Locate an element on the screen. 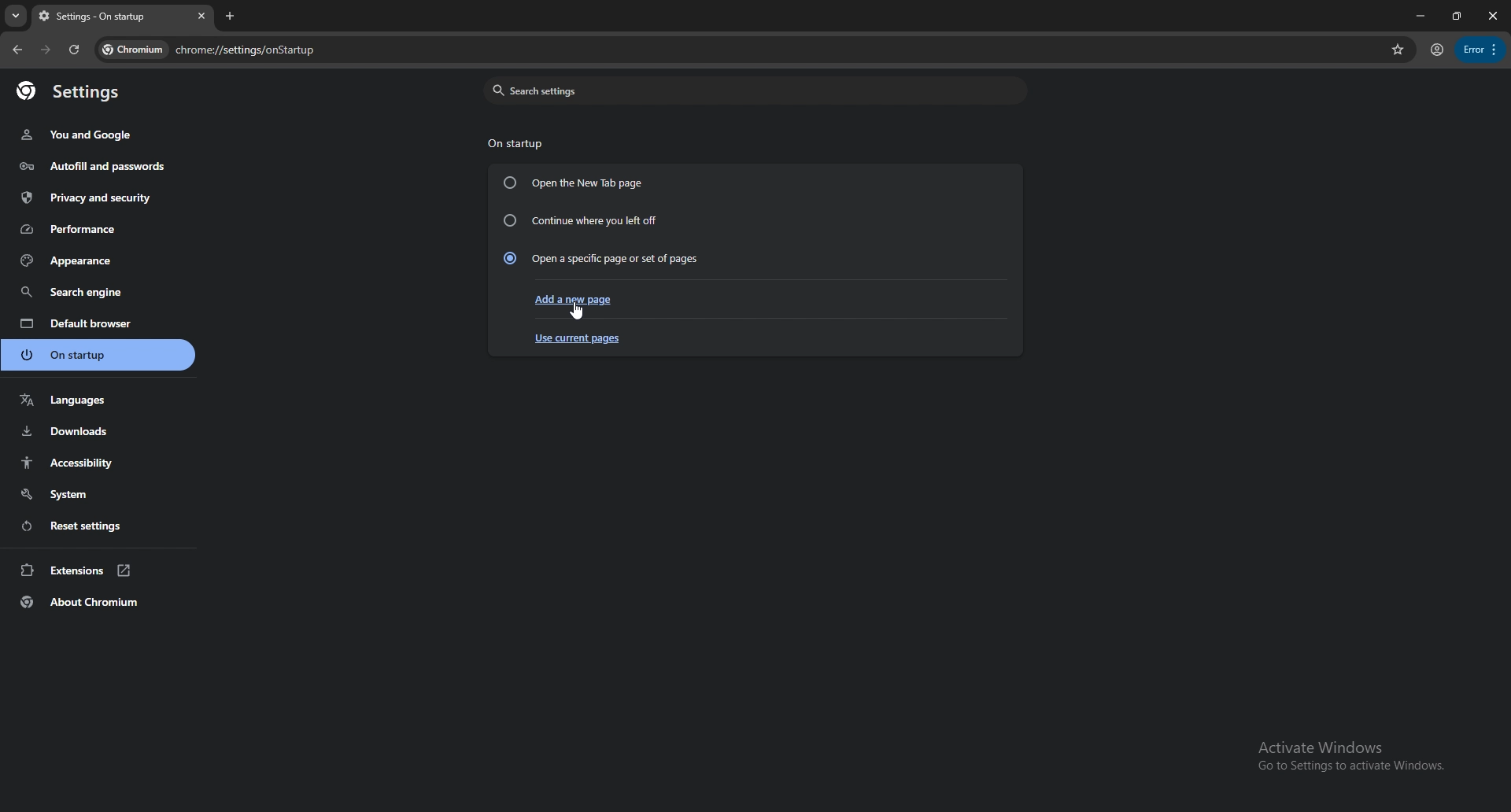  tab is located at coordinates (108, 17).